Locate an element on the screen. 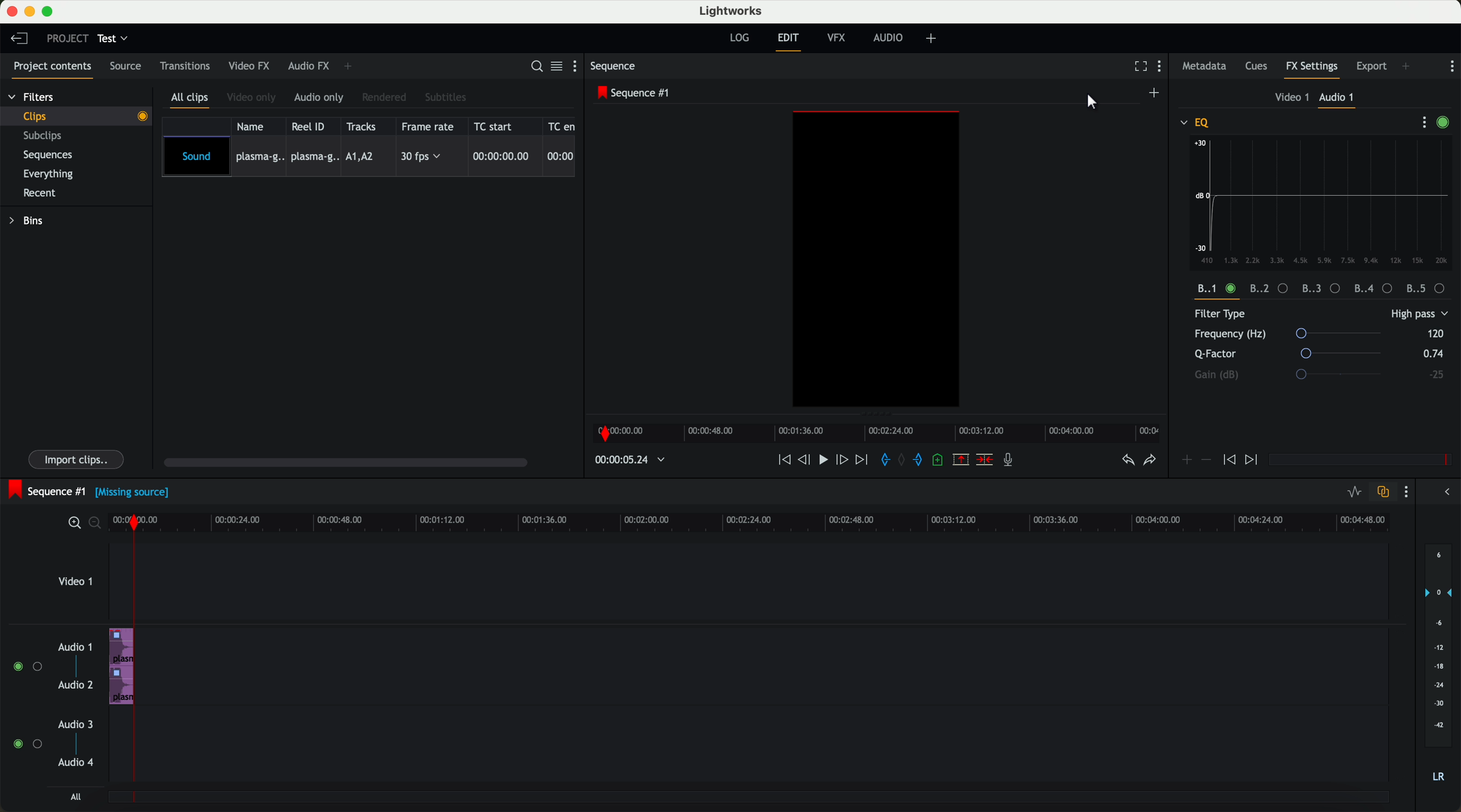  Q-Factor is located at coordinates (1291, 354).